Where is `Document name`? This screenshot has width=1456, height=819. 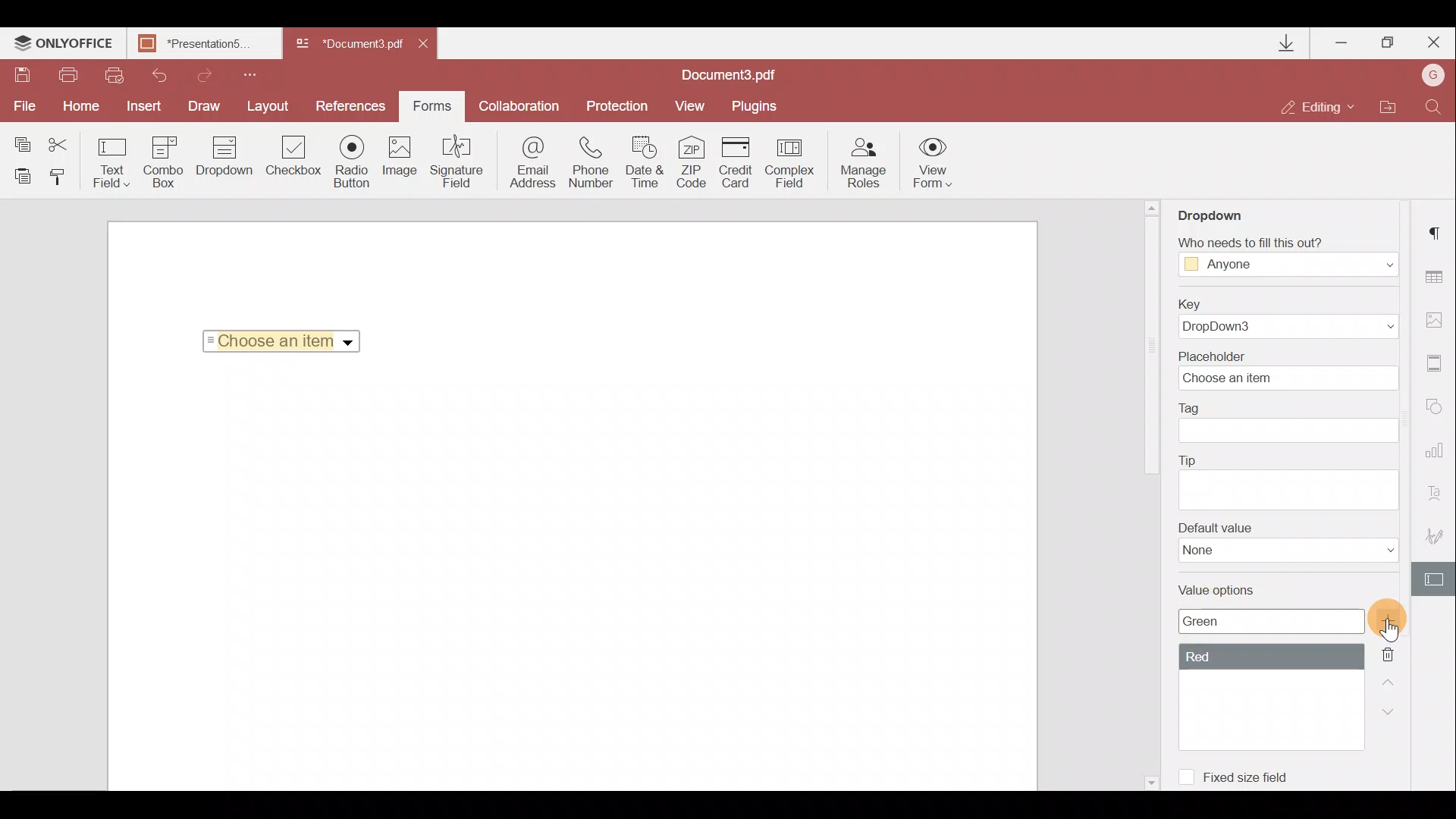 Document name is located at coordinates (347, 45).